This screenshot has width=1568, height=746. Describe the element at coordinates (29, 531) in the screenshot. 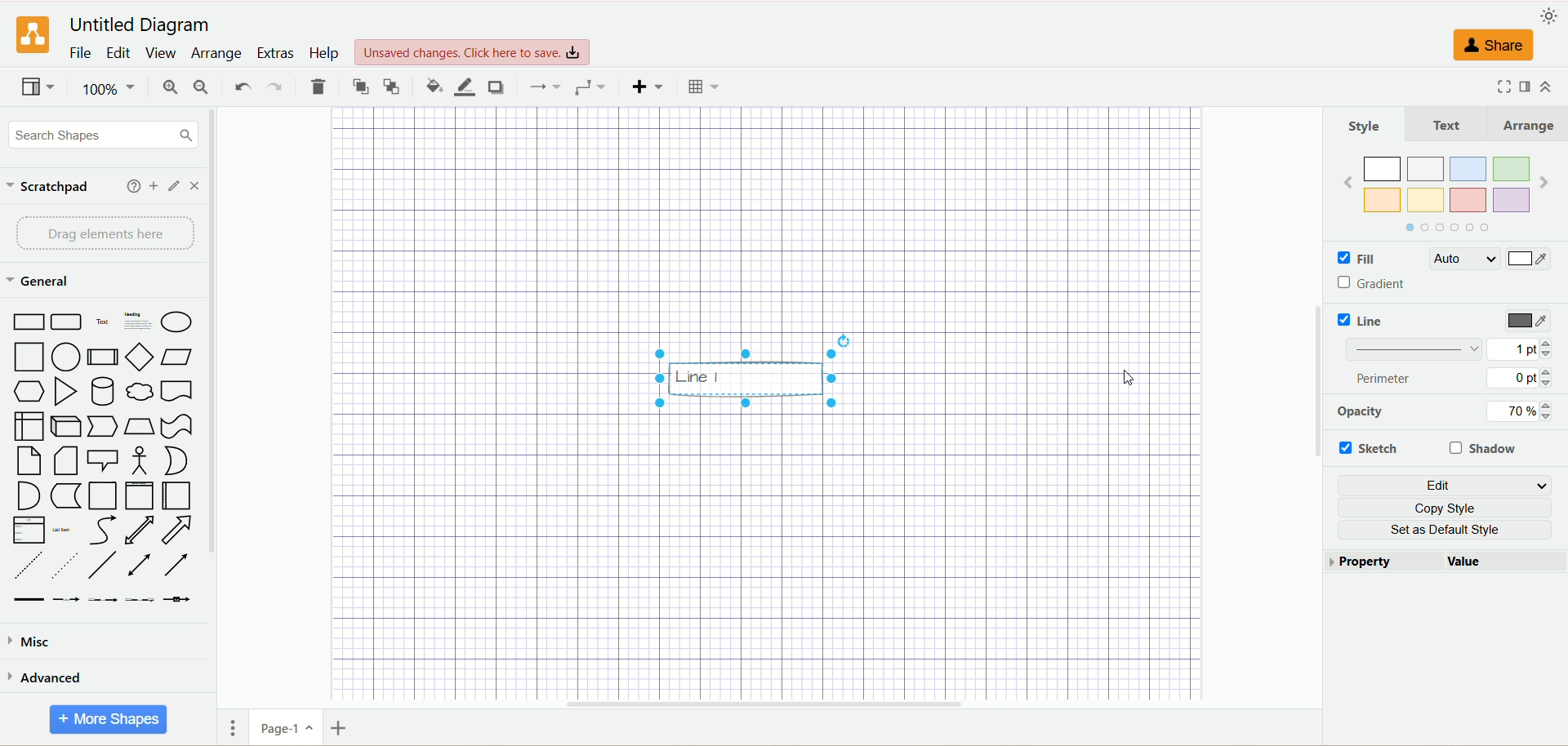

I see `List` at that location.